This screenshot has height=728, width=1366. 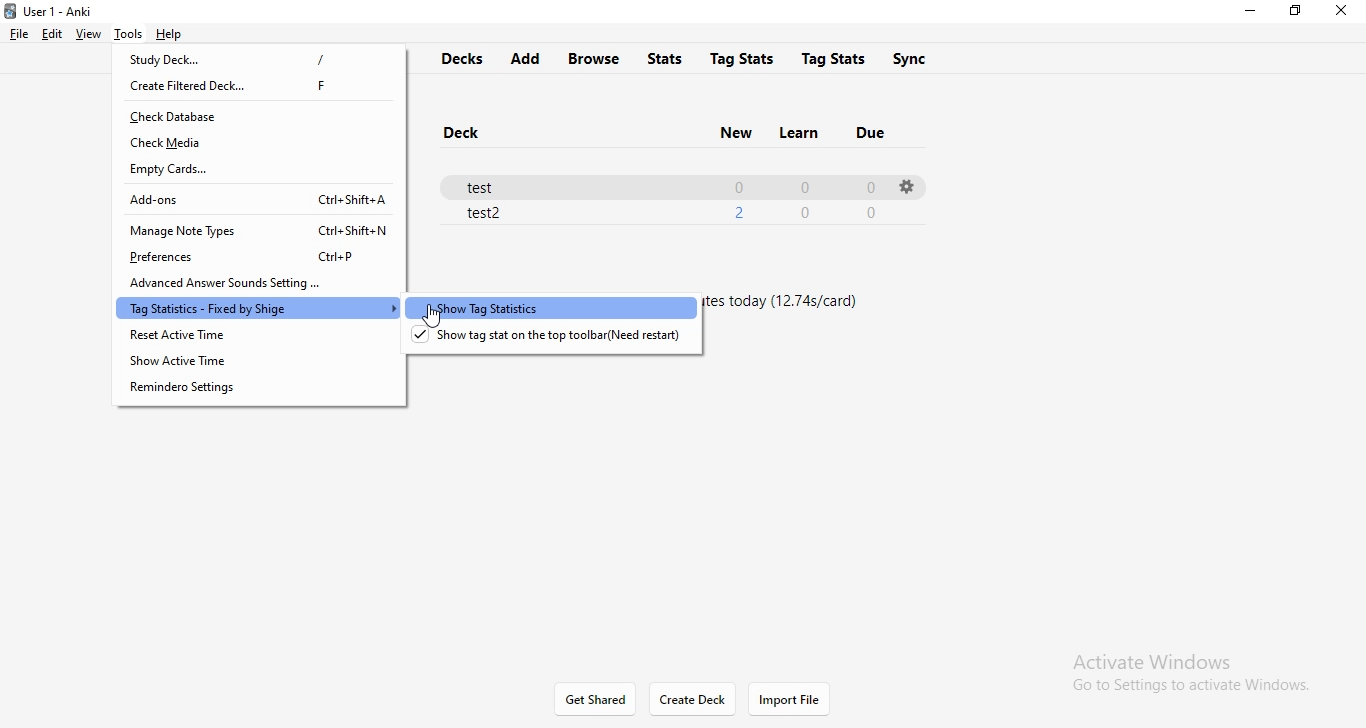 What do you see at coordinates (435, 319) in the screenshot?
I see `cursor` at bounding box center [435, 319].